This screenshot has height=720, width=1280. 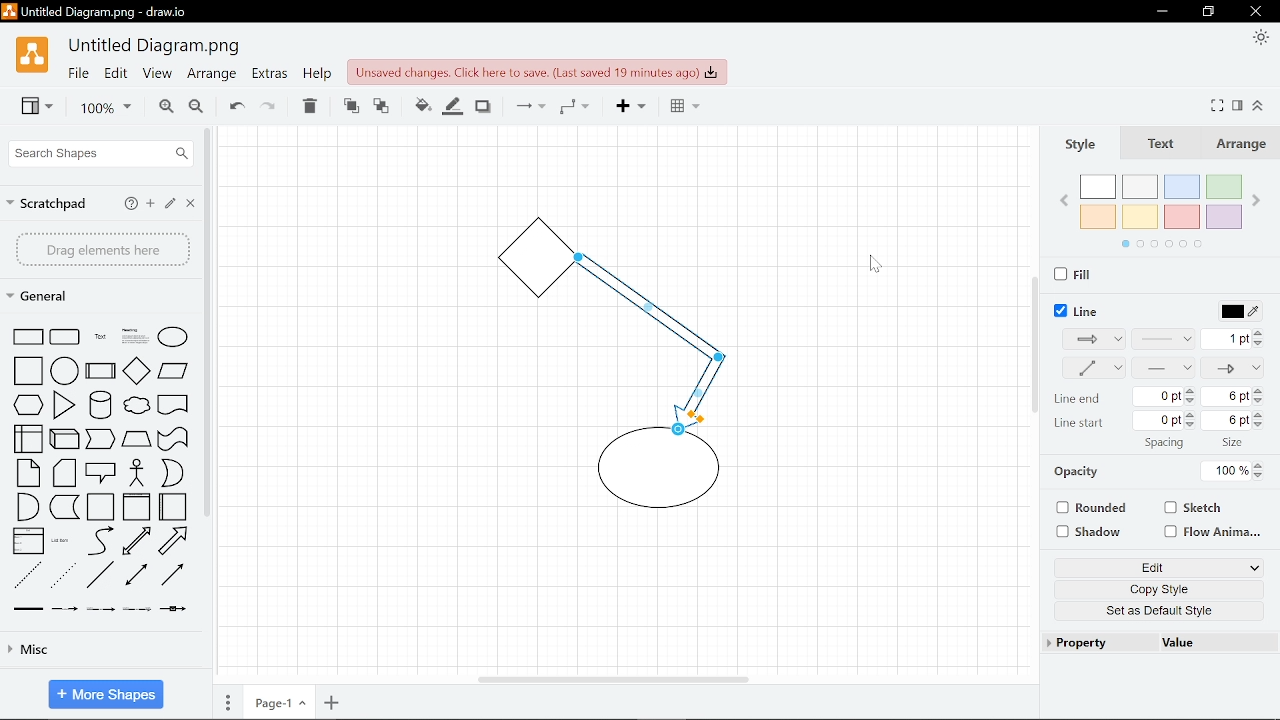 What do you see at coordinates (1152, 566) in the screenshot?
I see `Edit` at bounding box center [1152, 566].